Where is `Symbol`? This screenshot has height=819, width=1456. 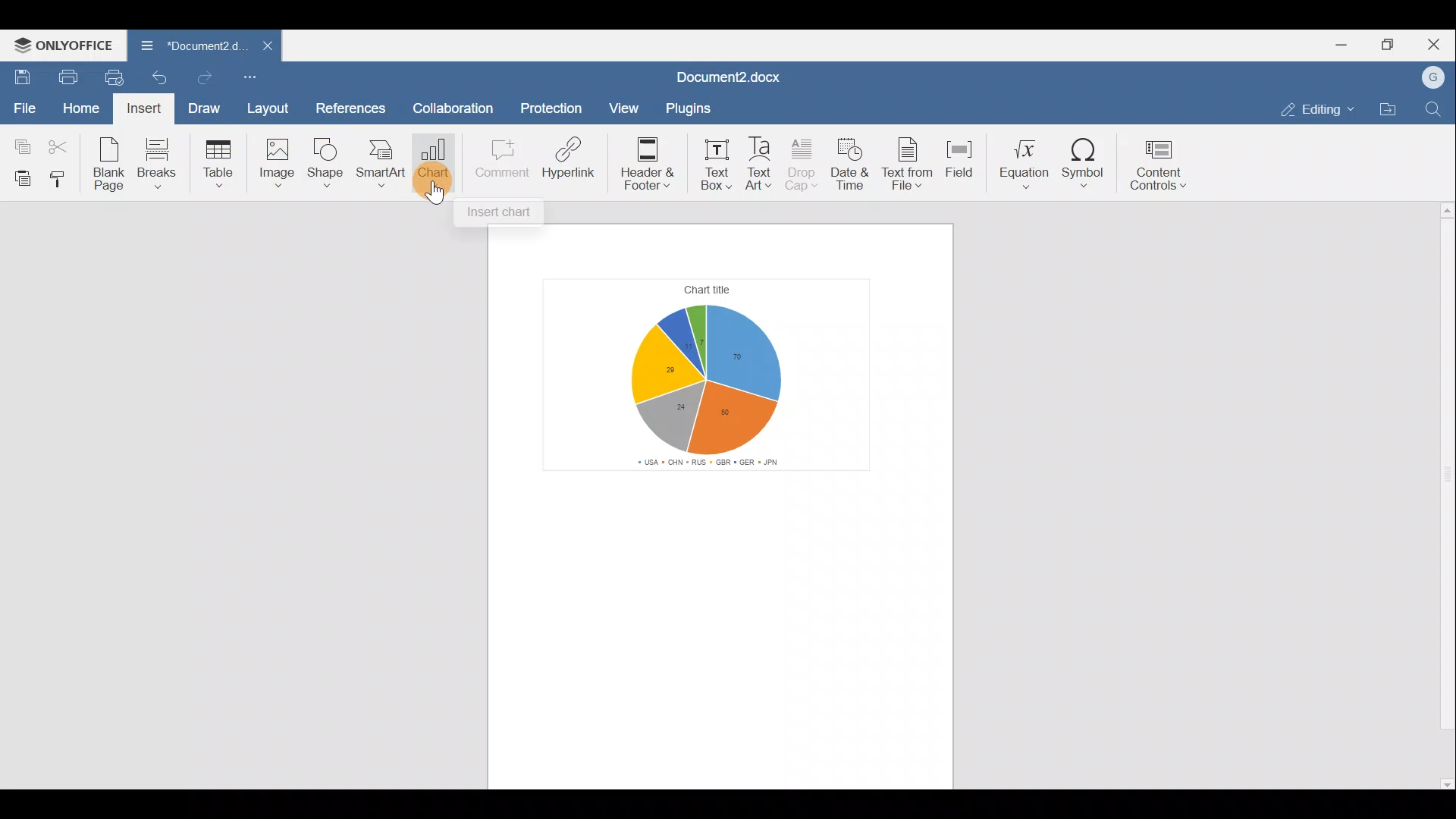 Symbol is located at coordinates (1084, 167).